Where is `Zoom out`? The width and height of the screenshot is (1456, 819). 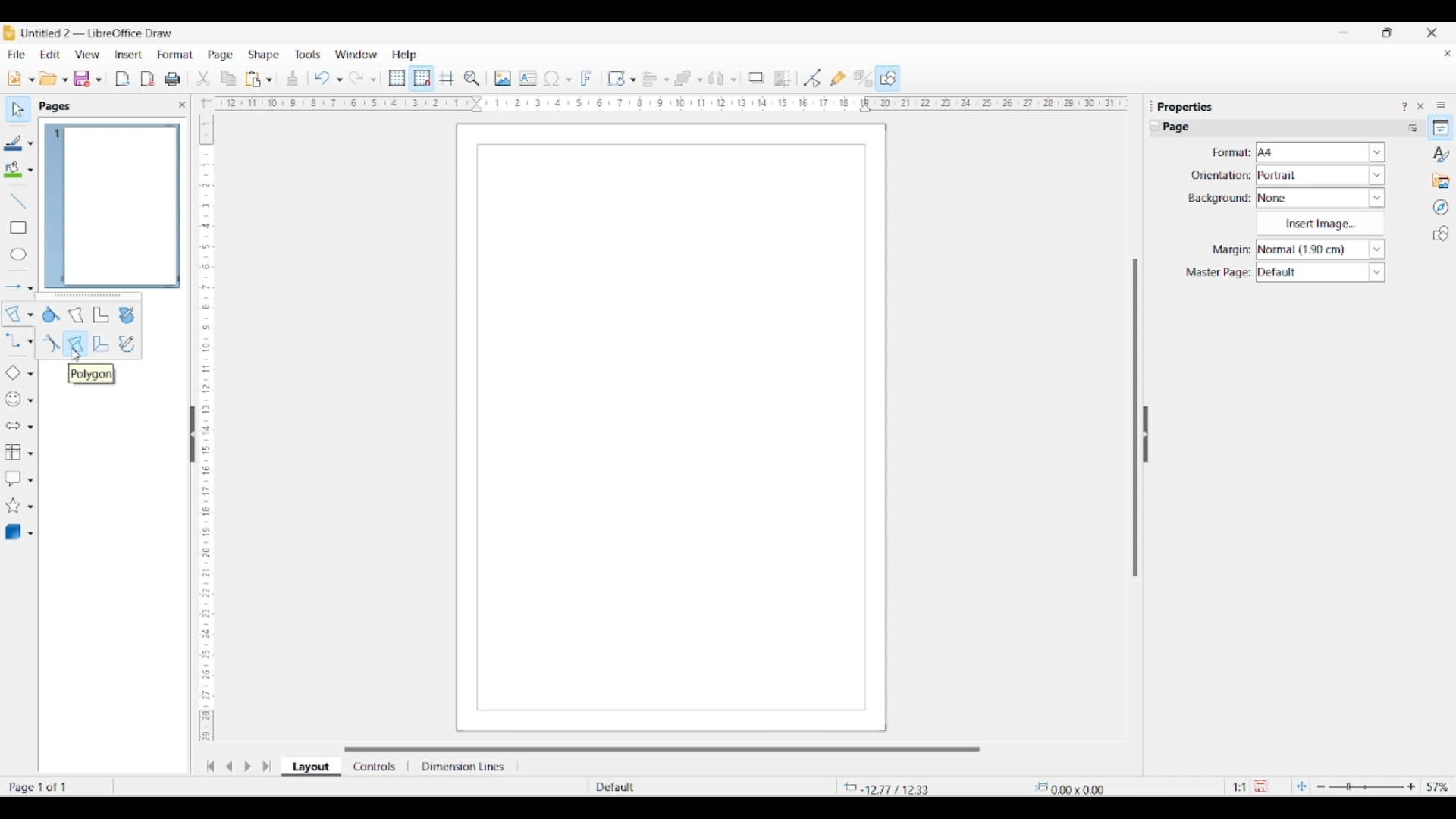 Zoom out is located at coordinates (1321, 787).